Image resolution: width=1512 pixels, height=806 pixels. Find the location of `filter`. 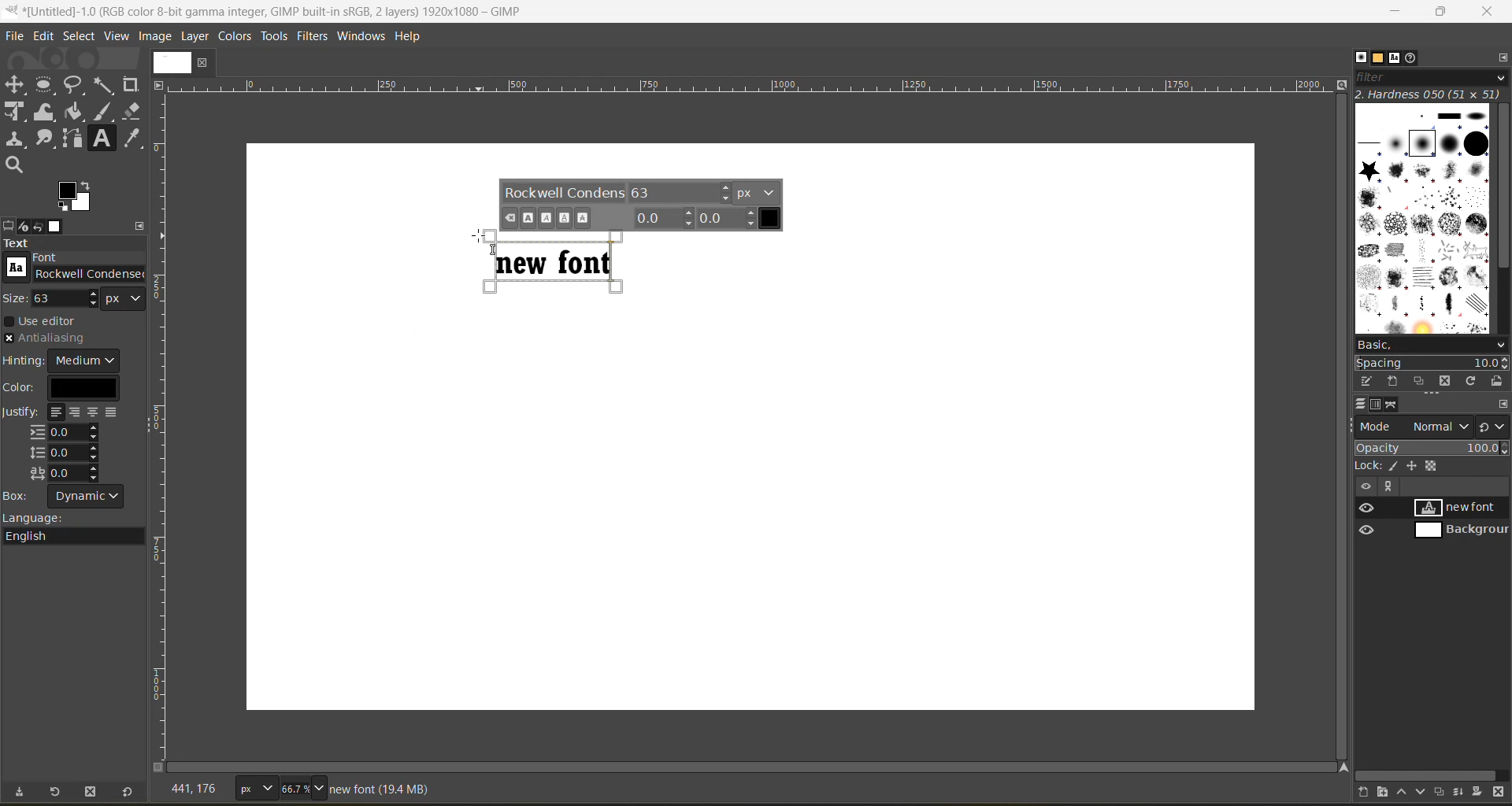

filter is located at coordinates (1433, 76).